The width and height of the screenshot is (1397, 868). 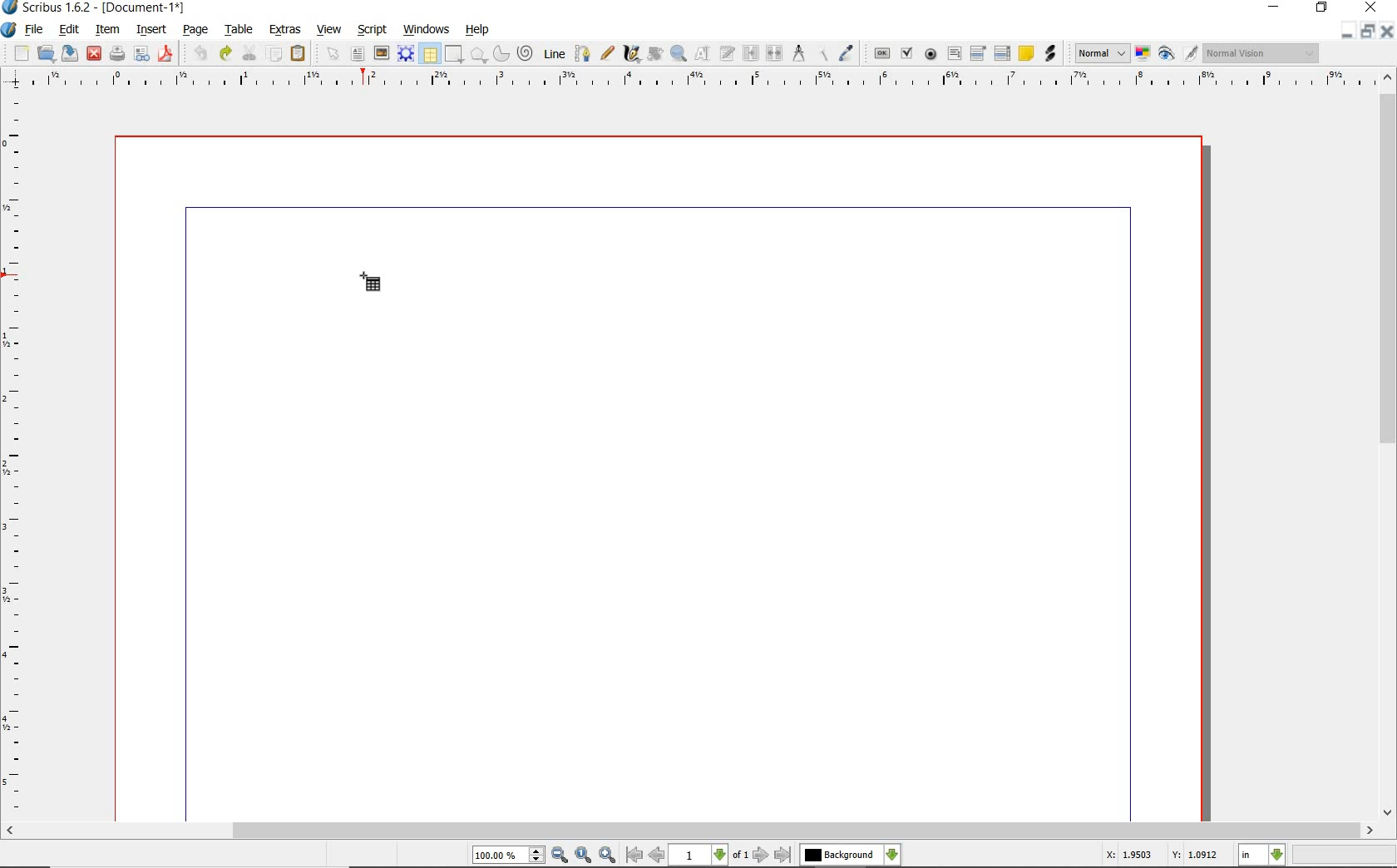 I want to click on select, so click(x=336, y=57).